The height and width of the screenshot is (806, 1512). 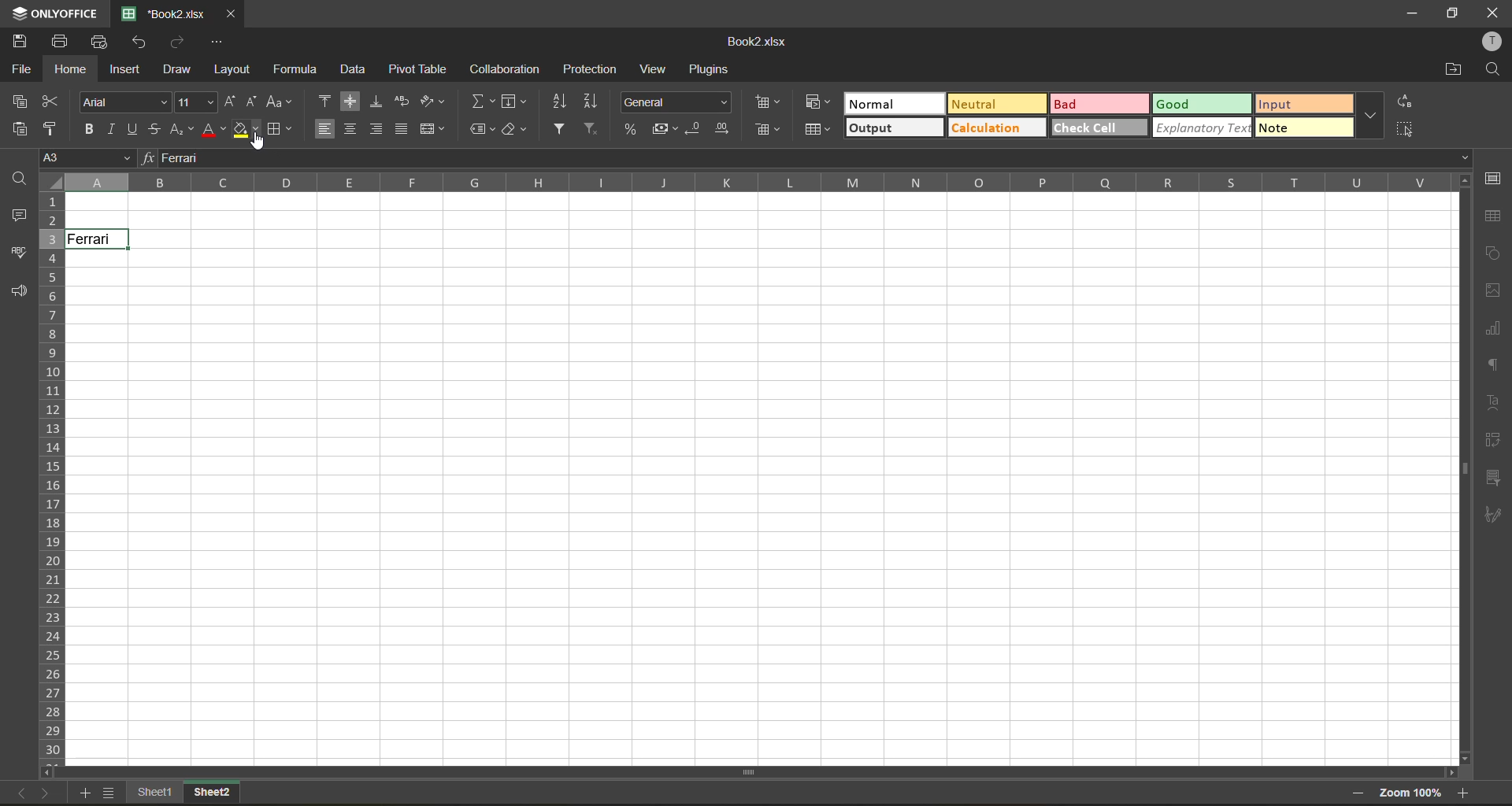 I want to click on sub/superscript, so click(x=183, y=130).